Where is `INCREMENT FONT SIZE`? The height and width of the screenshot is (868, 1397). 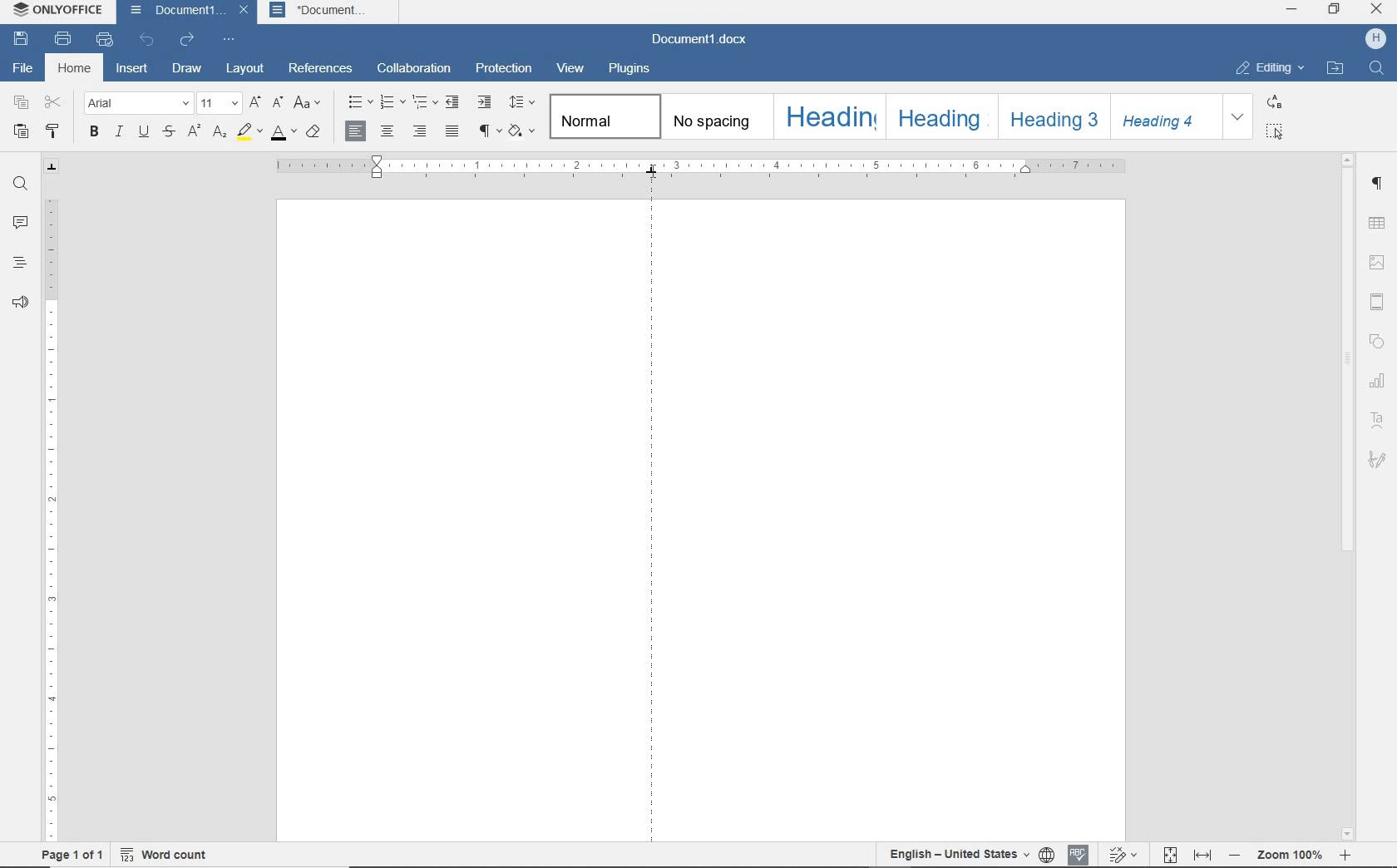 INCREMENT FONT SIZE is located at coordinates (255, 104).